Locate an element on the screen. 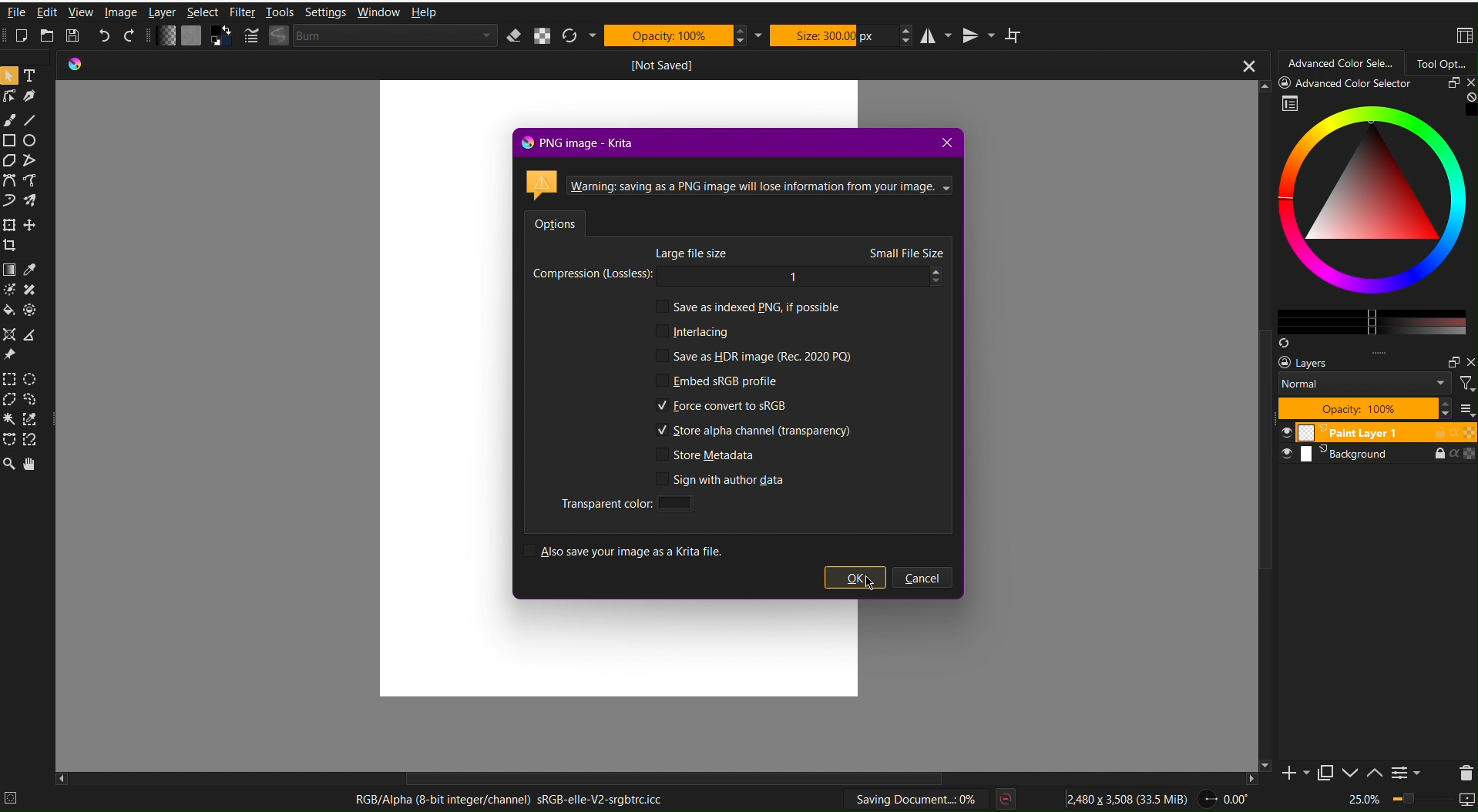  Erase is located at coordinates (515, 36).